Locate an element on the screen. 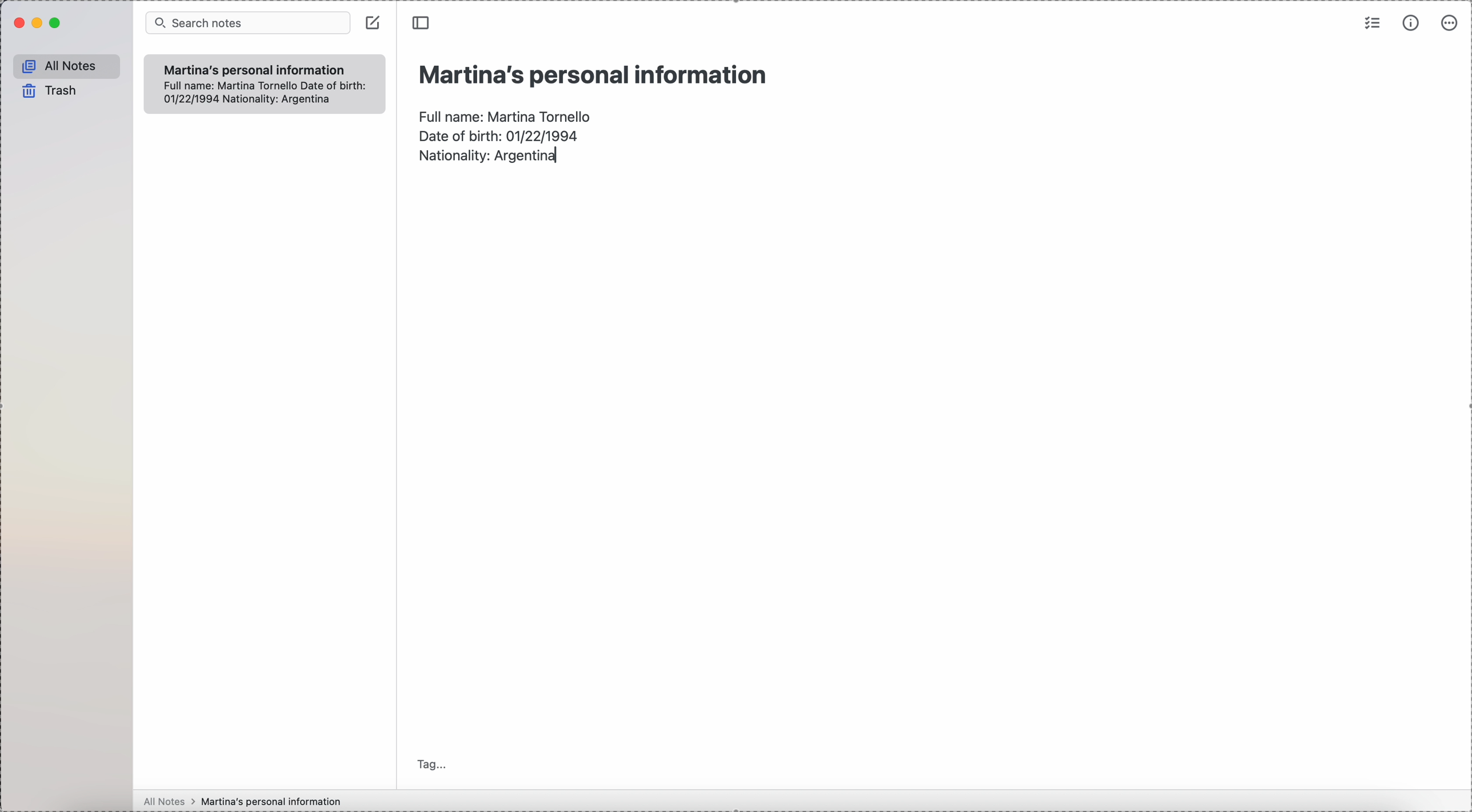 This screenshot has width=1472, height=812. minimize Simplenote is located at coordinates (39, 23).